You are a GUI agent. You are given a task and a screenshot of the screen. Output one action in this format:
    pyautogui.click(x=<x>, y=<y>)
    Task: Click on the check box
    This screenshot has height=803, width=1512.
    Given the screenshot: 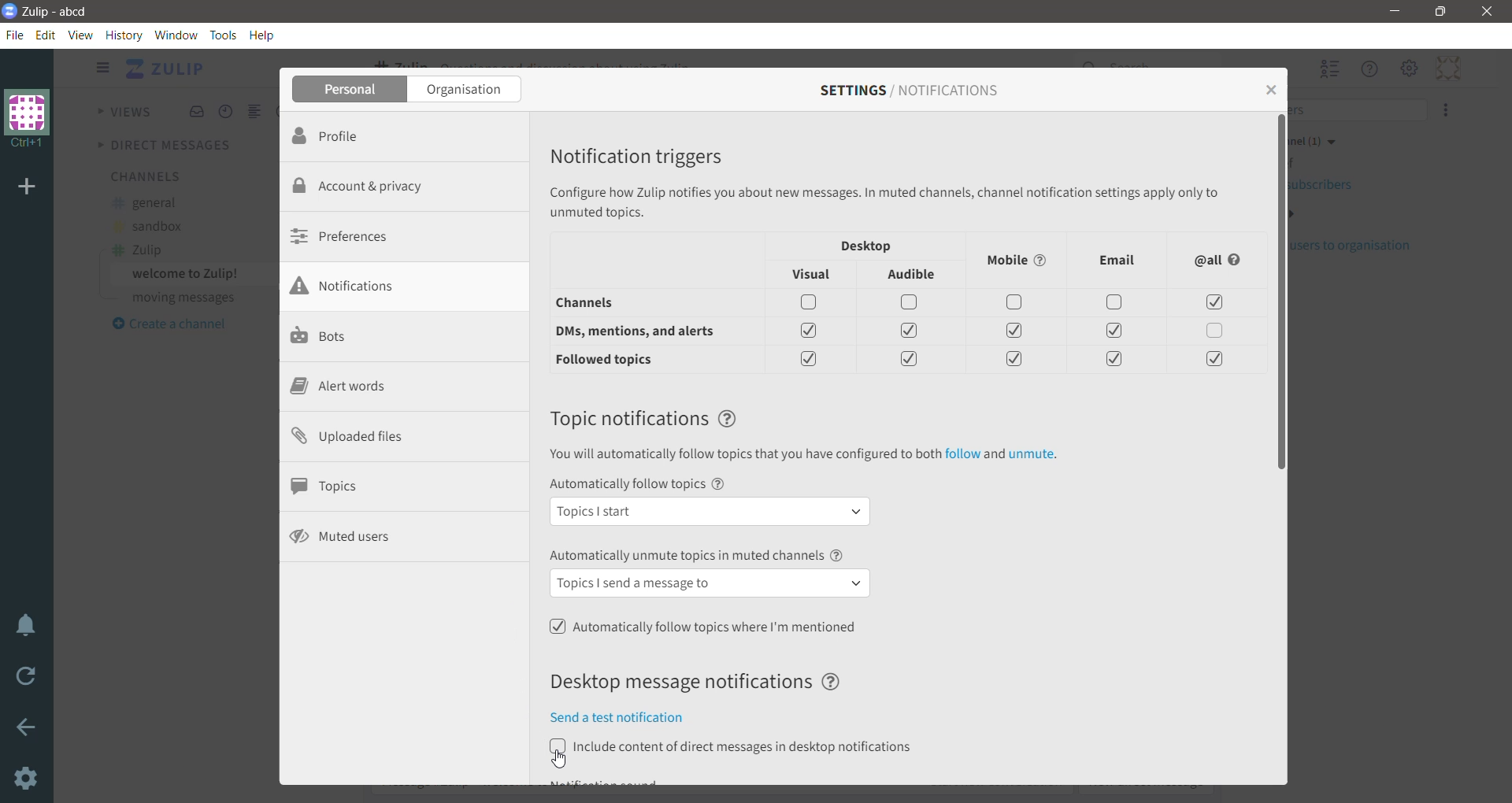 What is the action you would take?
    pyautogui.click(x=913, y=331)
    